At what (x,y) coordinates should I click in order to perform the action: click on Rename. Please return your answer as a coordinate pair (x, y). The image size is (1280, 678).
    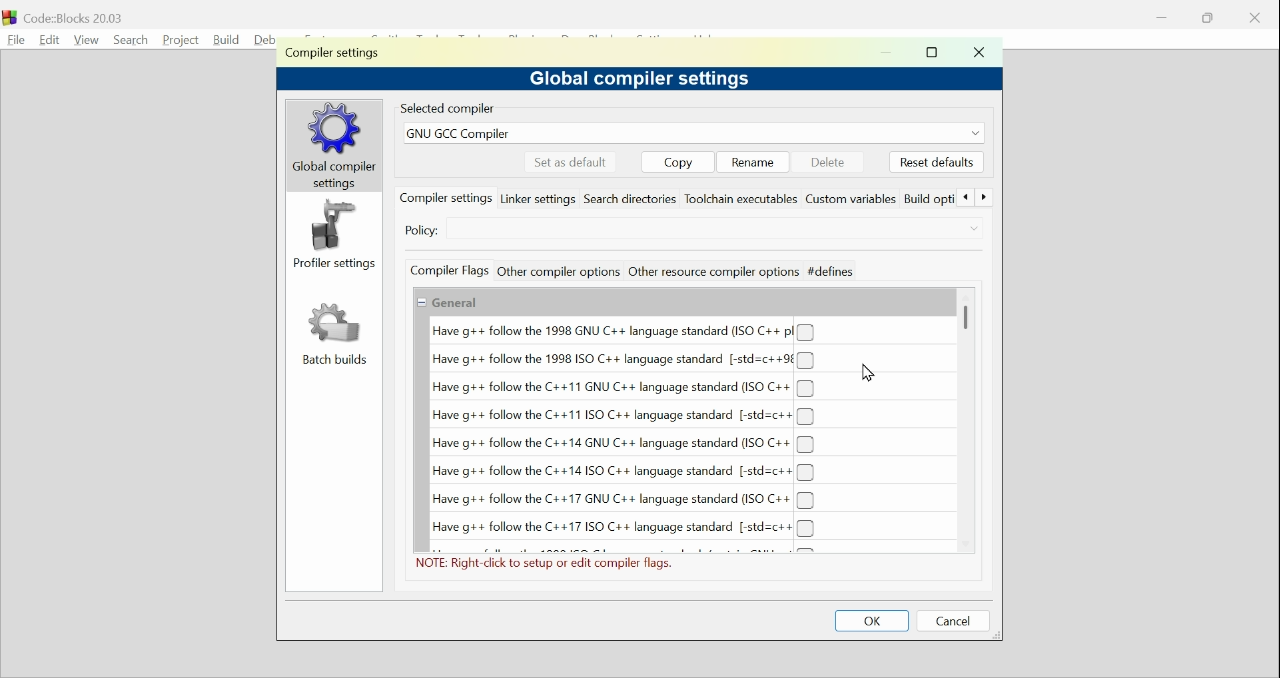
    Looking at the image, I should click on (752, 161).